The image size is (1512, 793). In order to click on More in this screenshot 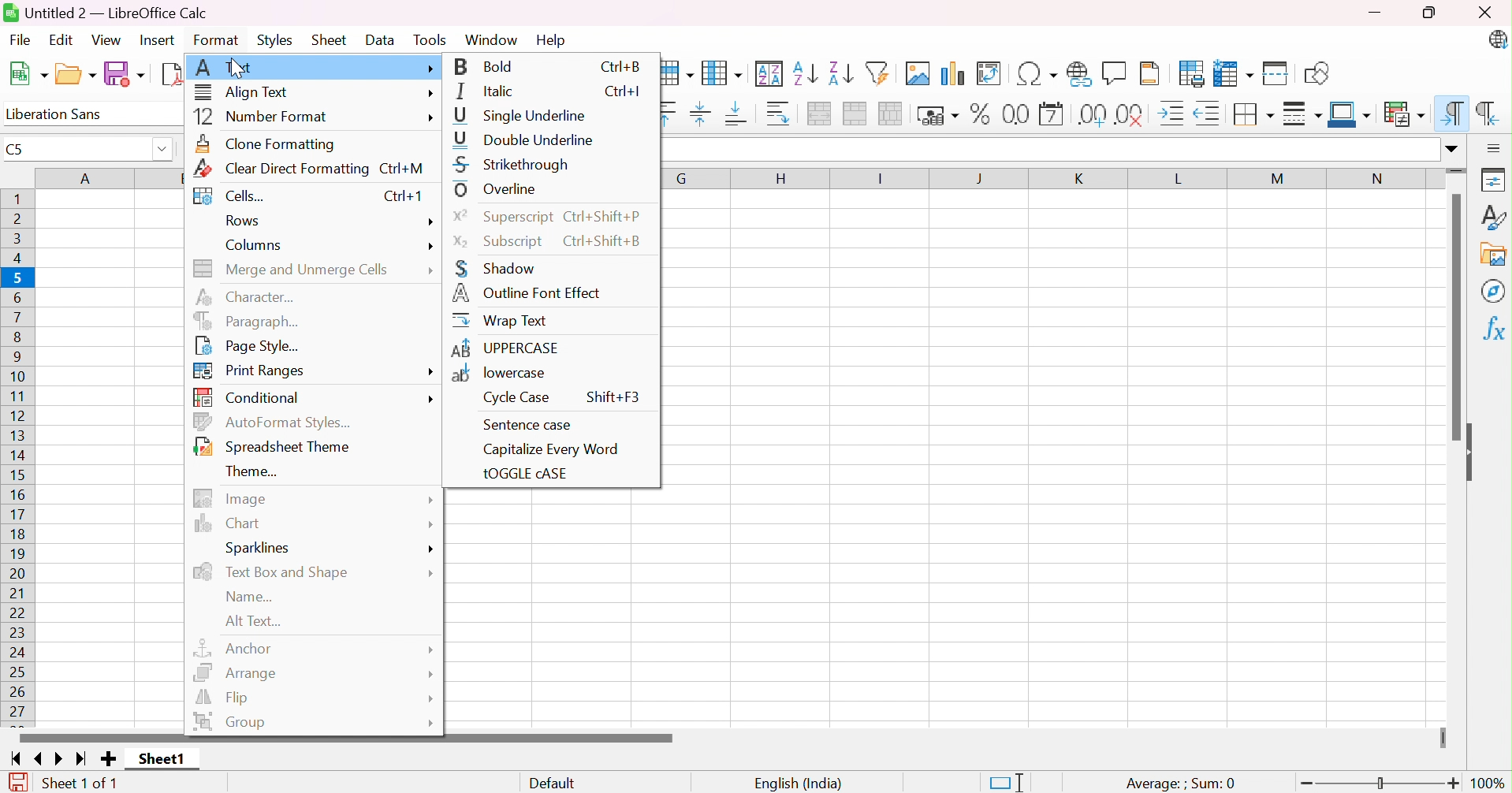, I will do `click(432, 673)`.